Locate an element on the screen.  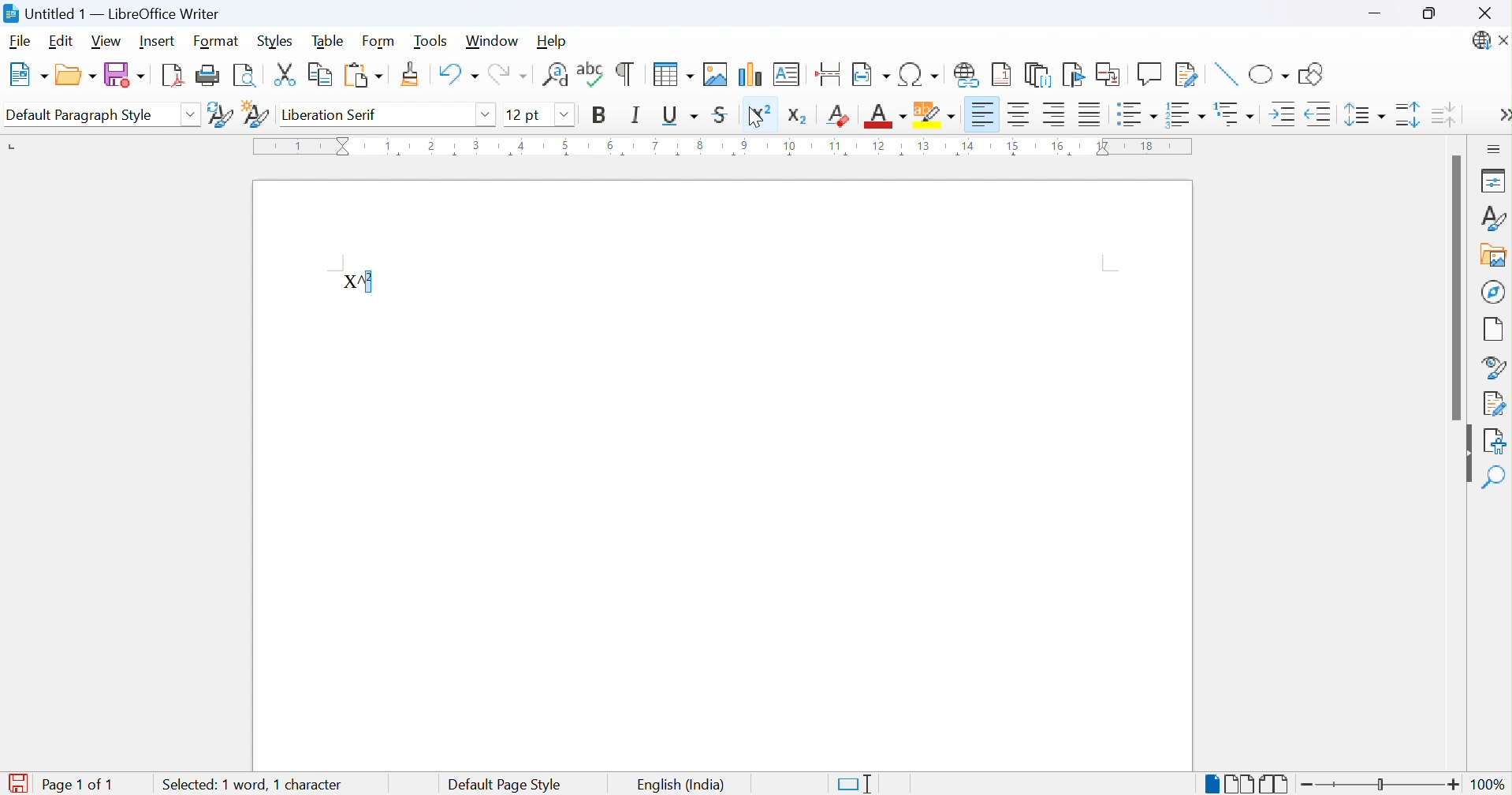
Manage changes is located at coordinates (1494, 405).